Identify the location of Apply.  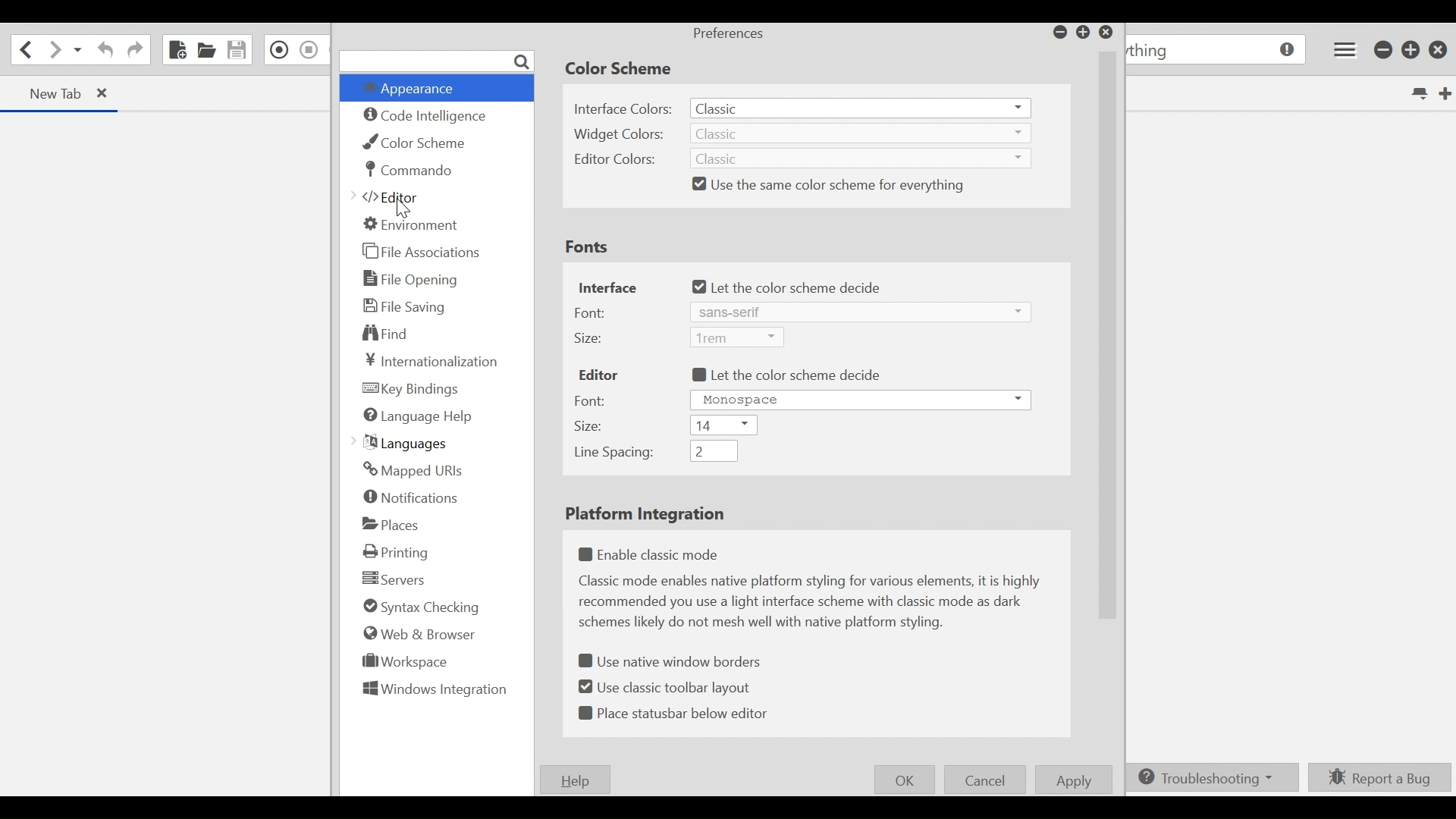
(1075, 779).